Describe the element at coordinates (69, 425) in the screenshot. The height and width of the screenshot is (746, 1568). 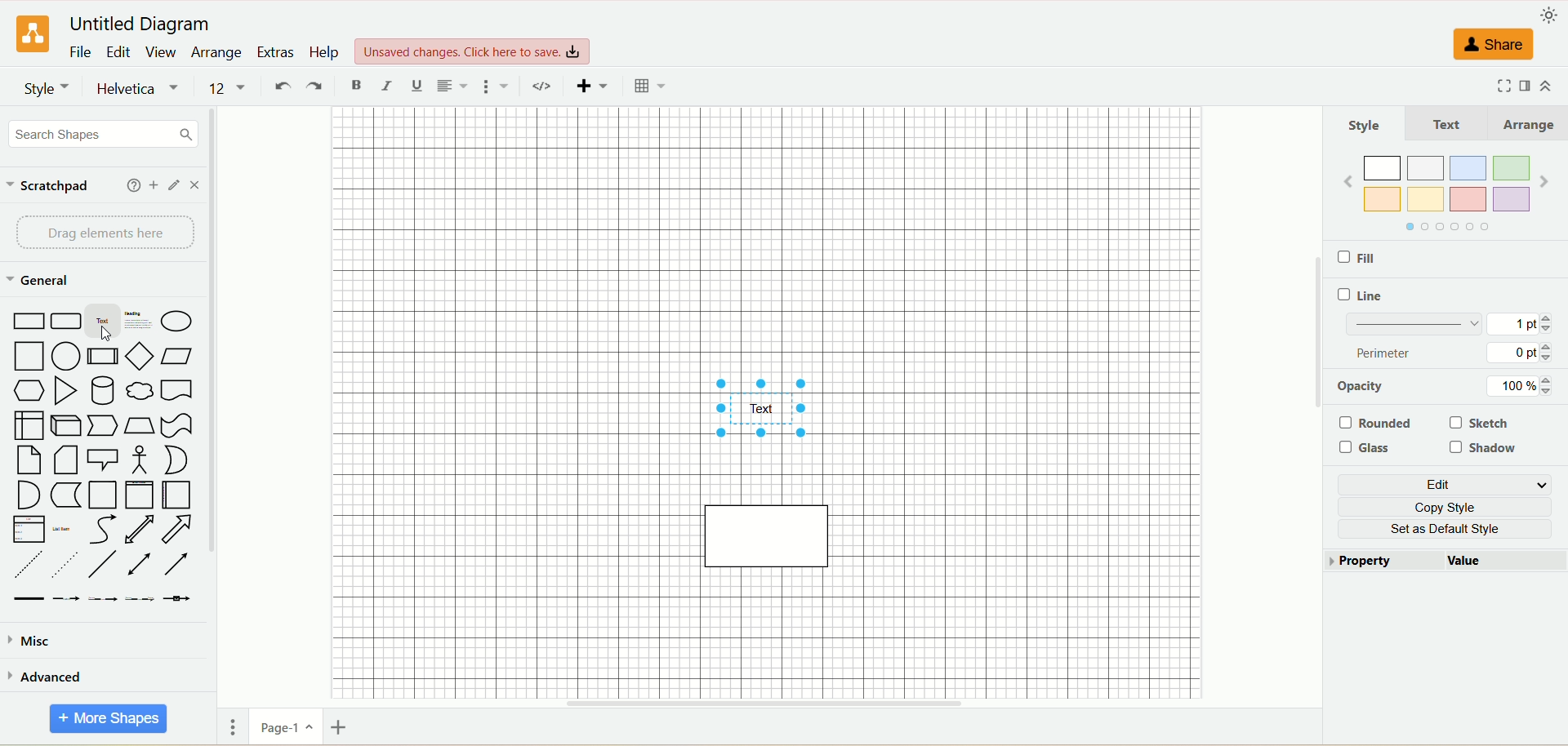
I see `cube` at that location.